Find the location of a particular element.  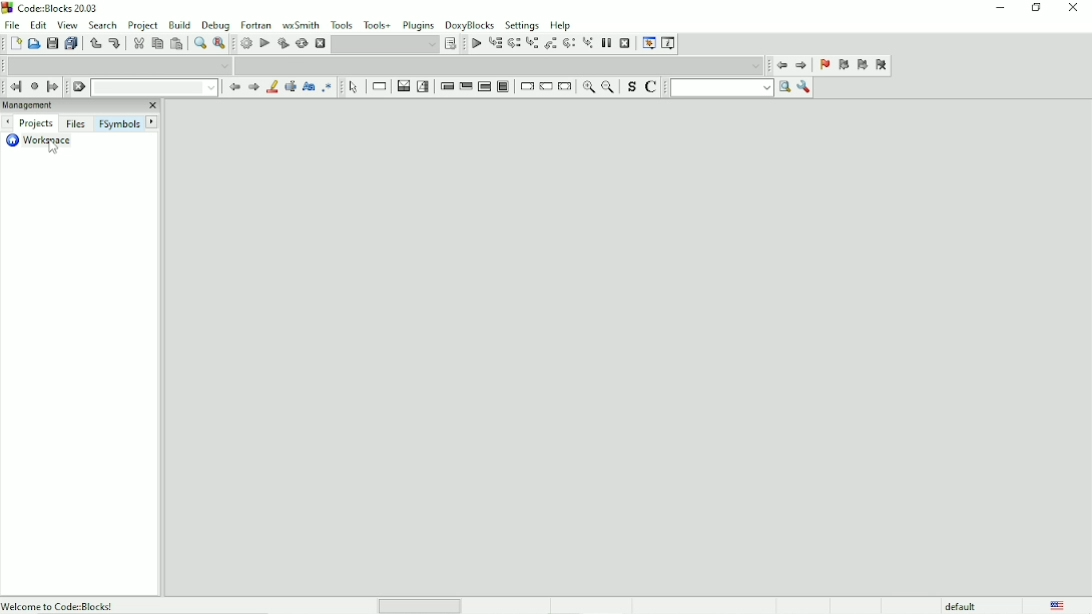

Close is located at coordinates (1075, 8).